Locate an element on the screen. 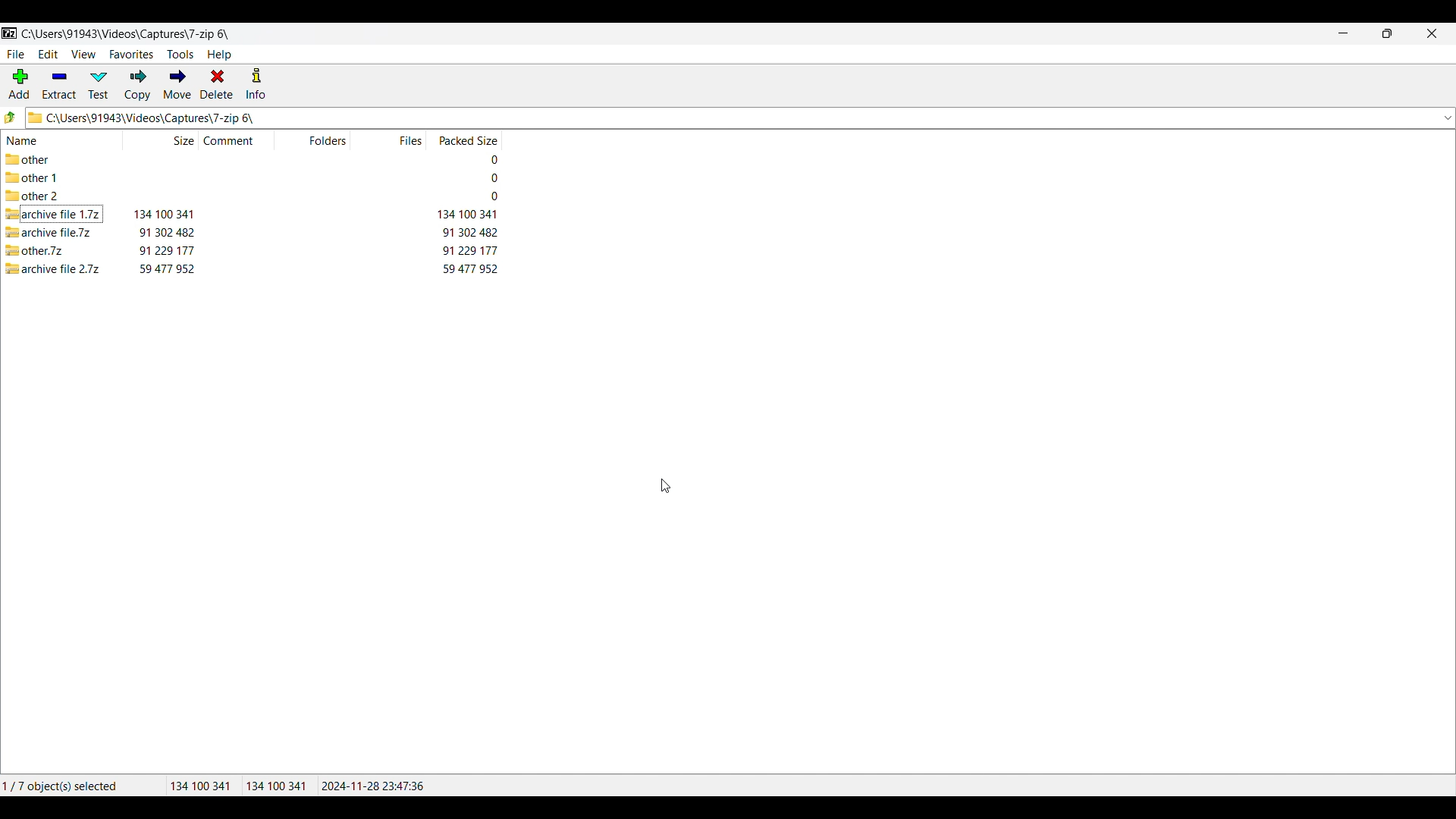 The image size is (1456, 819). Test is located at coordinates (99, 85).